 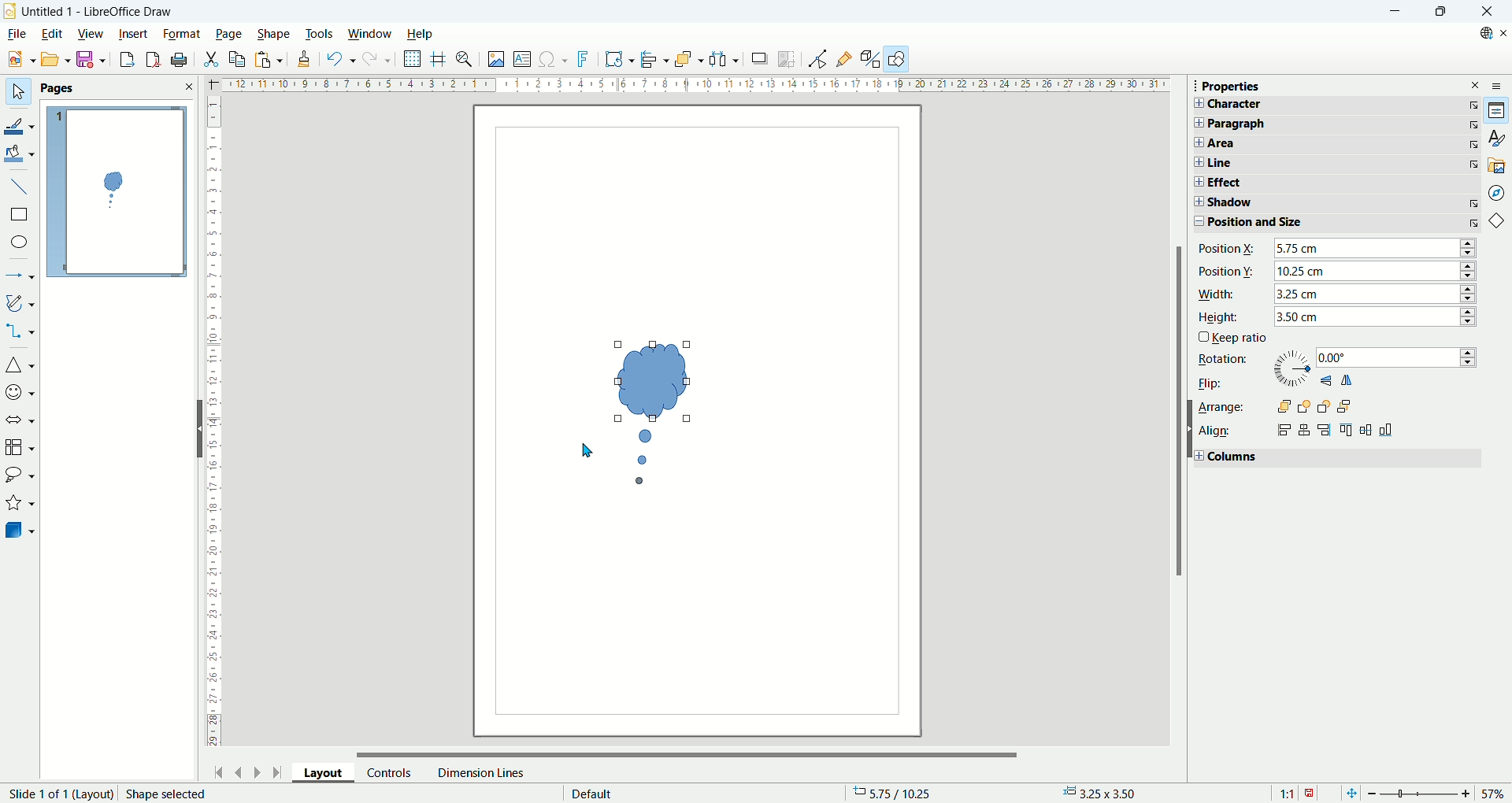 I want to click on Rotation, so click(x=1222, y=359).